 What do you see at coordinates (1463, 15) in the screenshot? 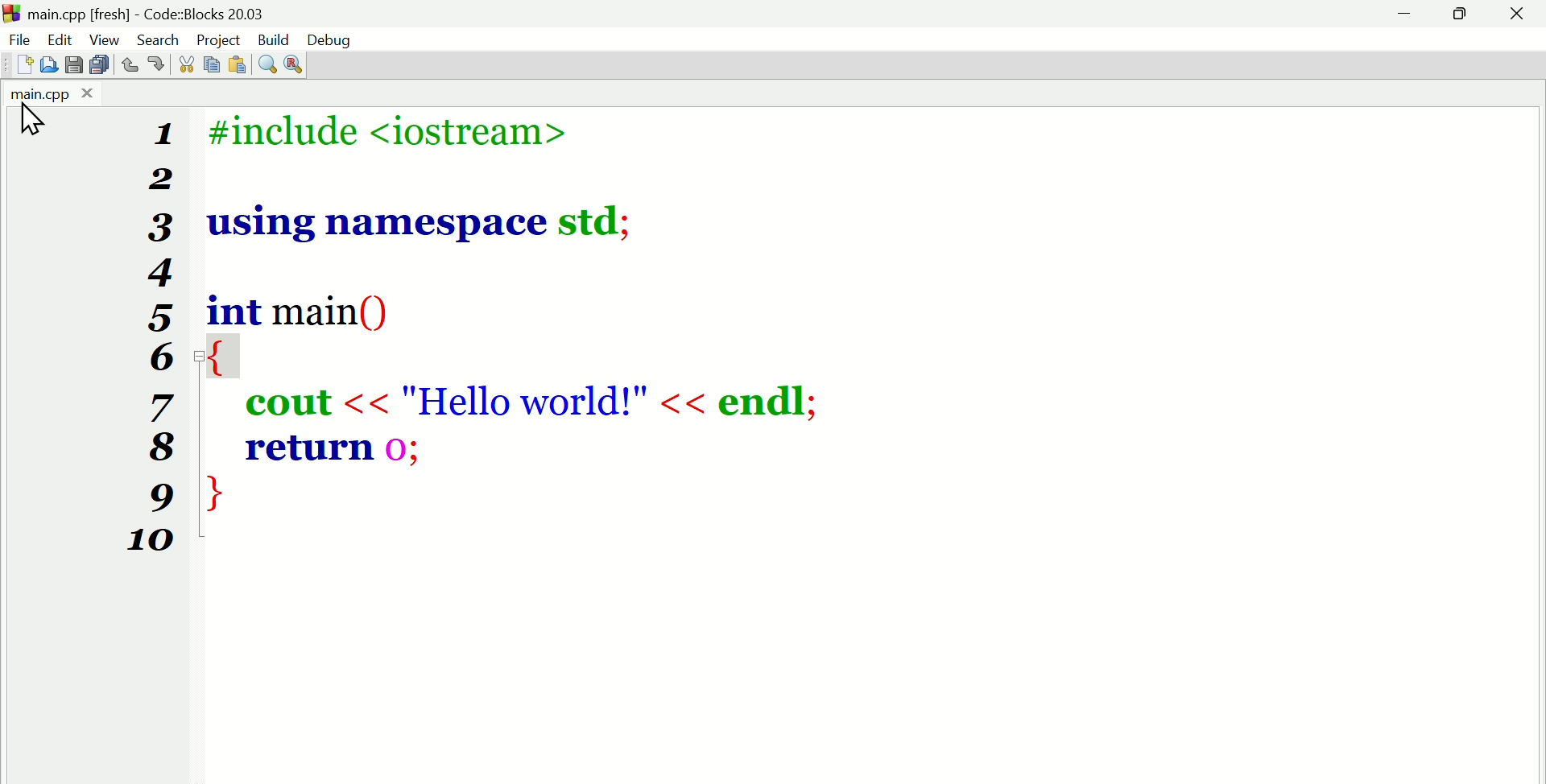
I see `maximise` at bounding box center [1463, 15].